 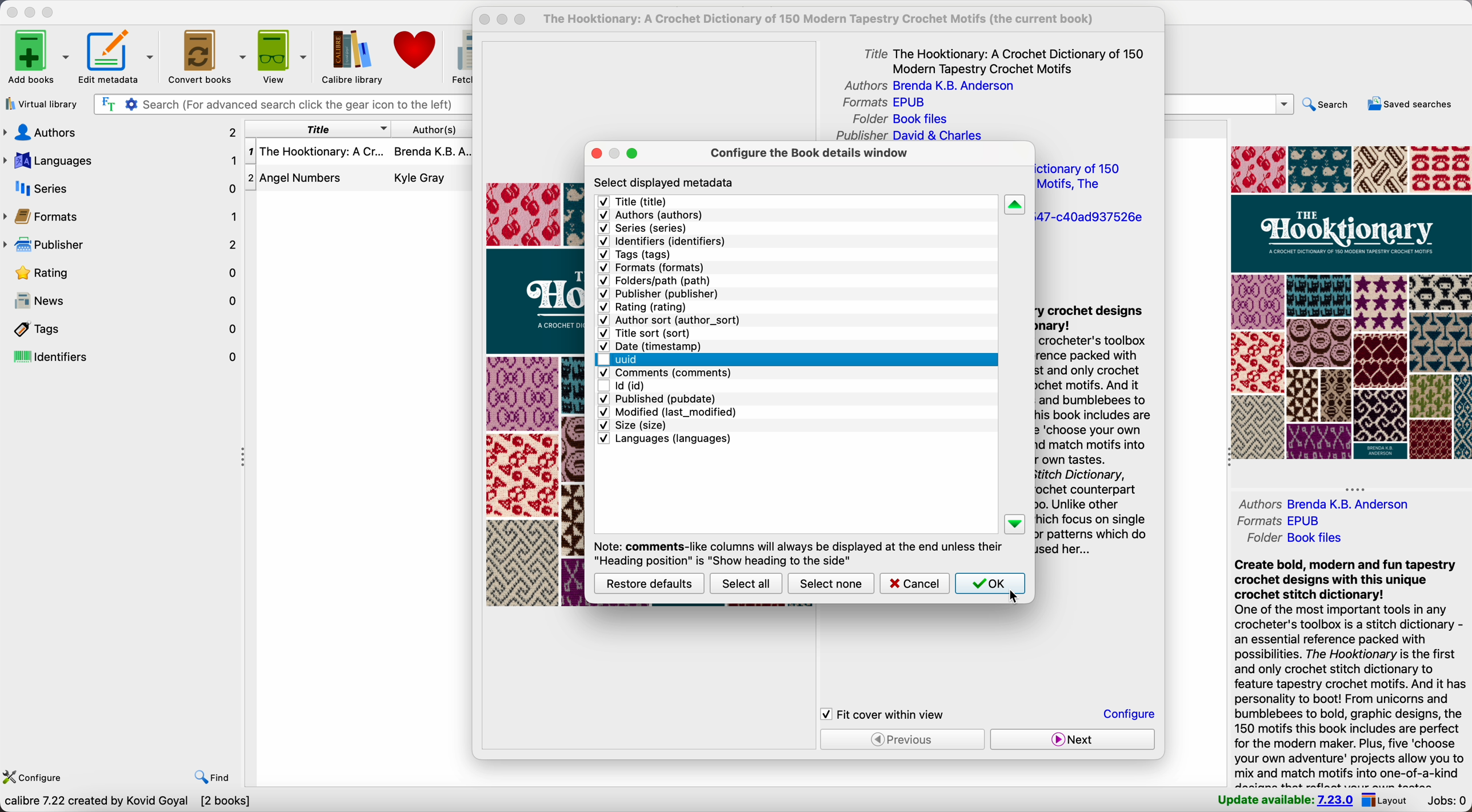 What do you see at coordinates (1017, 525) in the screenshot?
I see `down` at bounding box center [1017, 525].